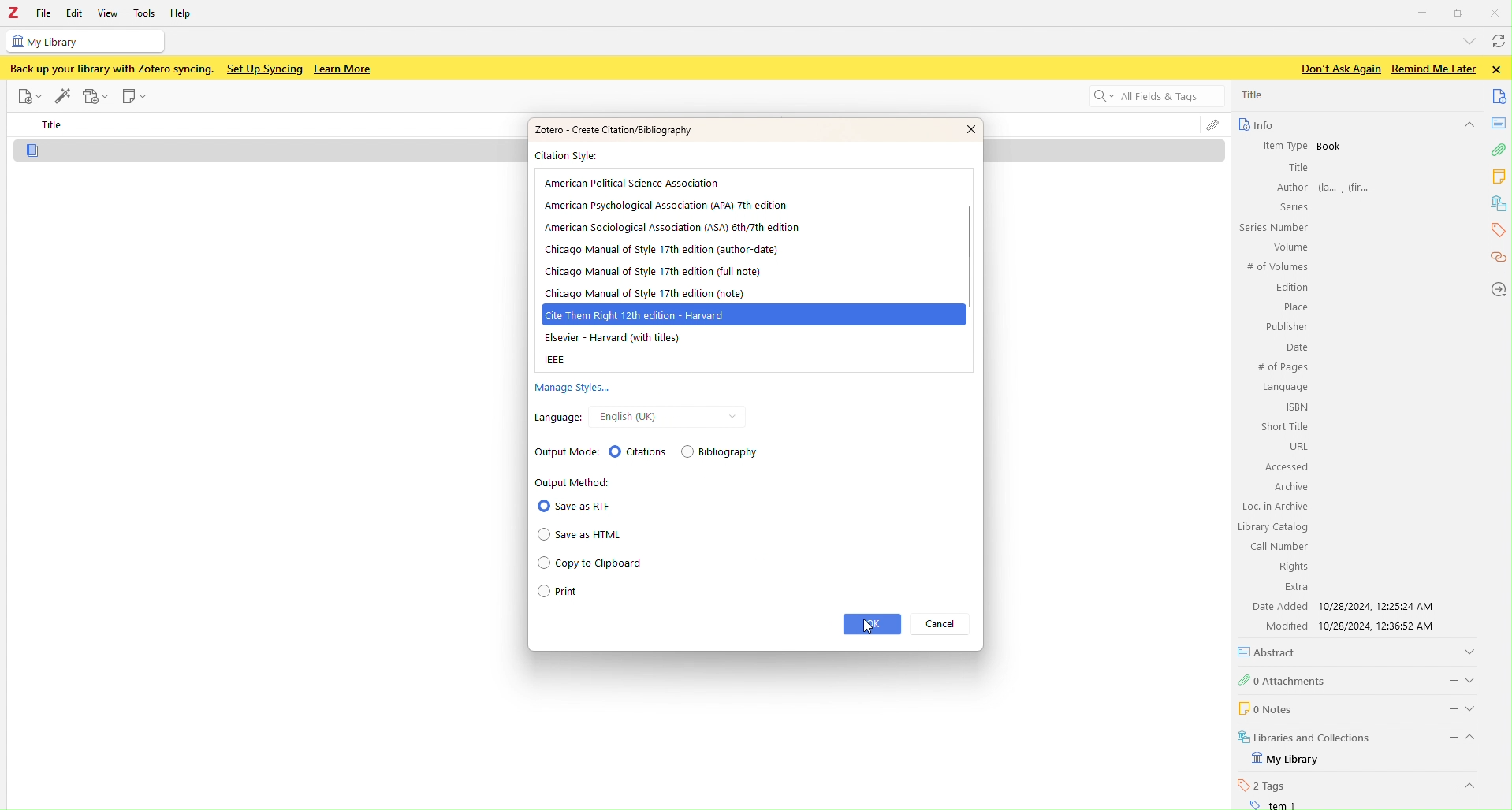  What do you see at coordinates (1296, 588) in the screenshot?
I see `extra` at bounding box center [1296, 588].